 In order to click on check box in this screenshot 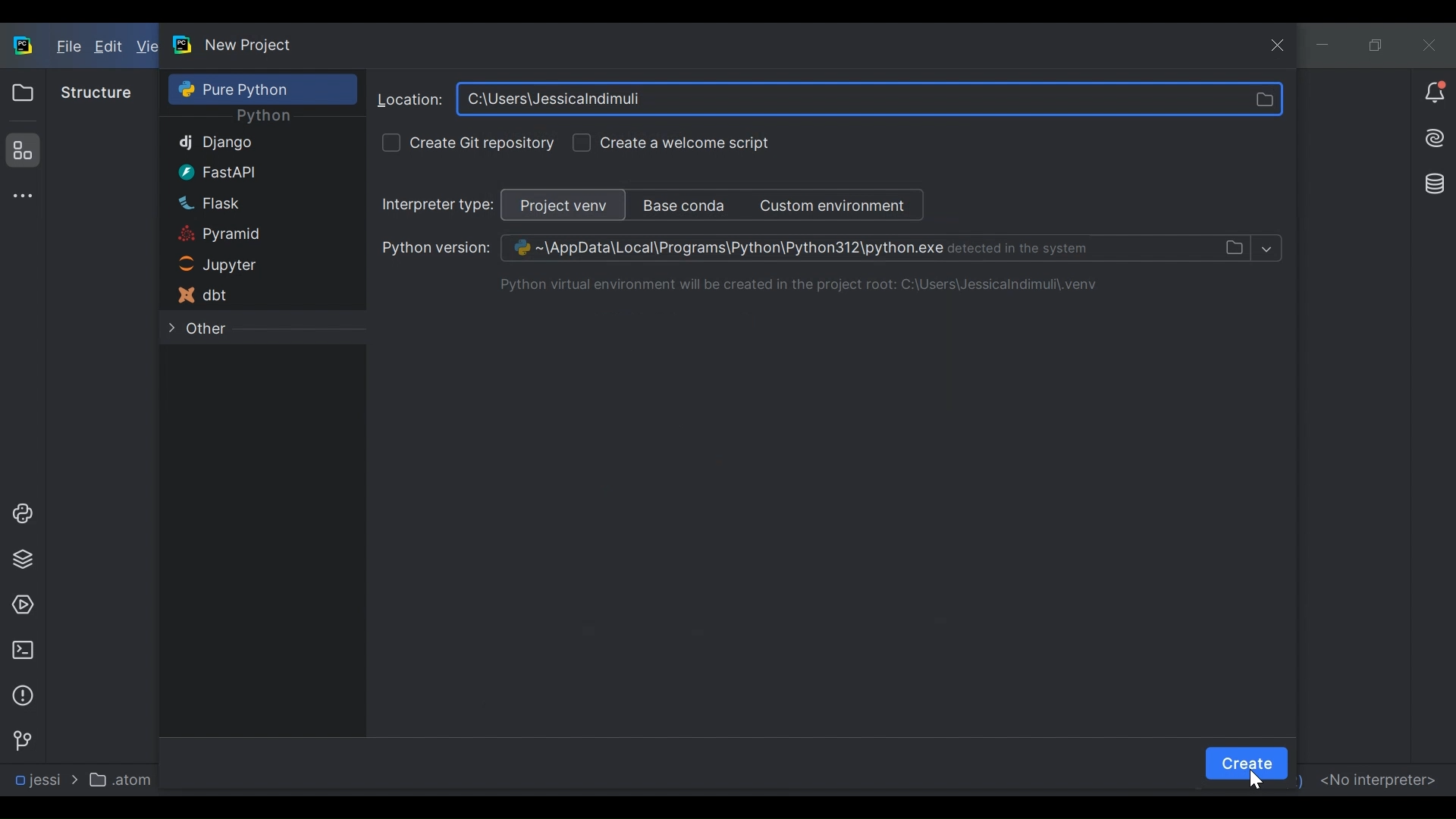, I will do `click(582, 143)`.